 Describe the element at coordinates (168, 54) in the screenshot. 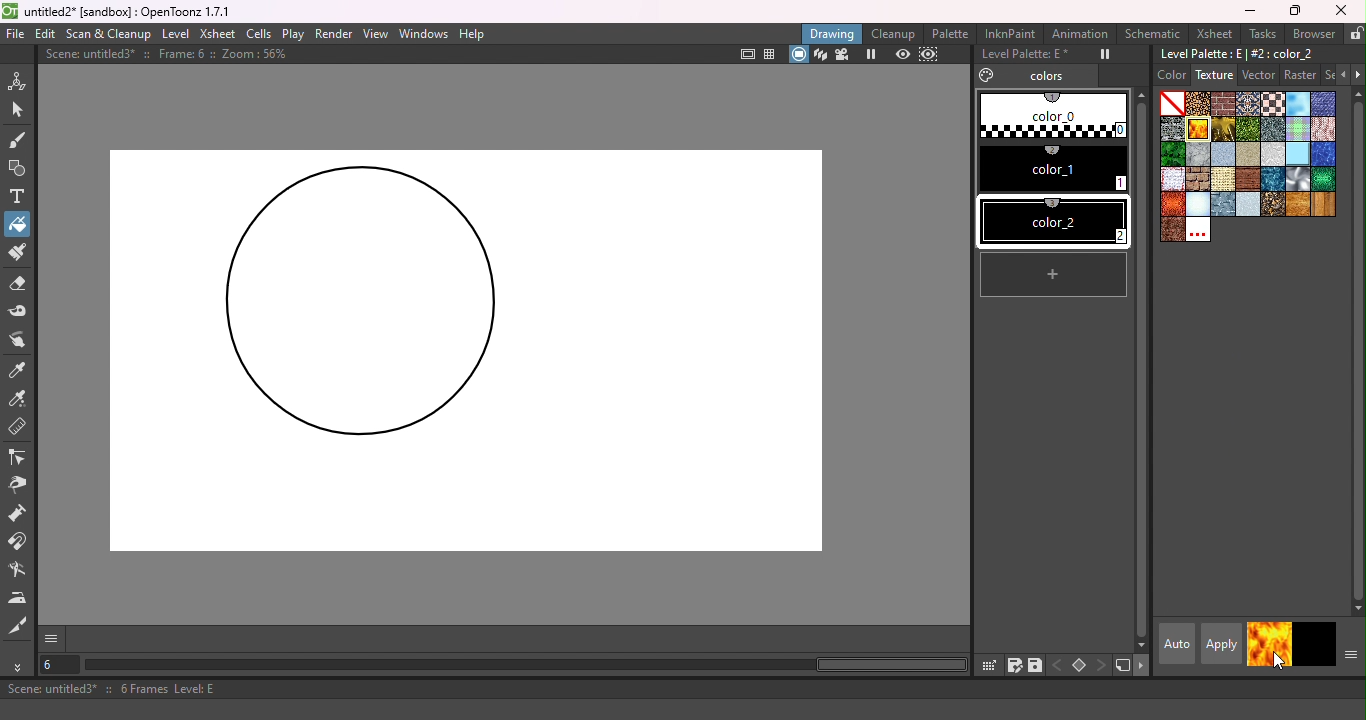

I see `Scene: untitled3* :: Frame: 6 :: Zoom: 56%` at that location.